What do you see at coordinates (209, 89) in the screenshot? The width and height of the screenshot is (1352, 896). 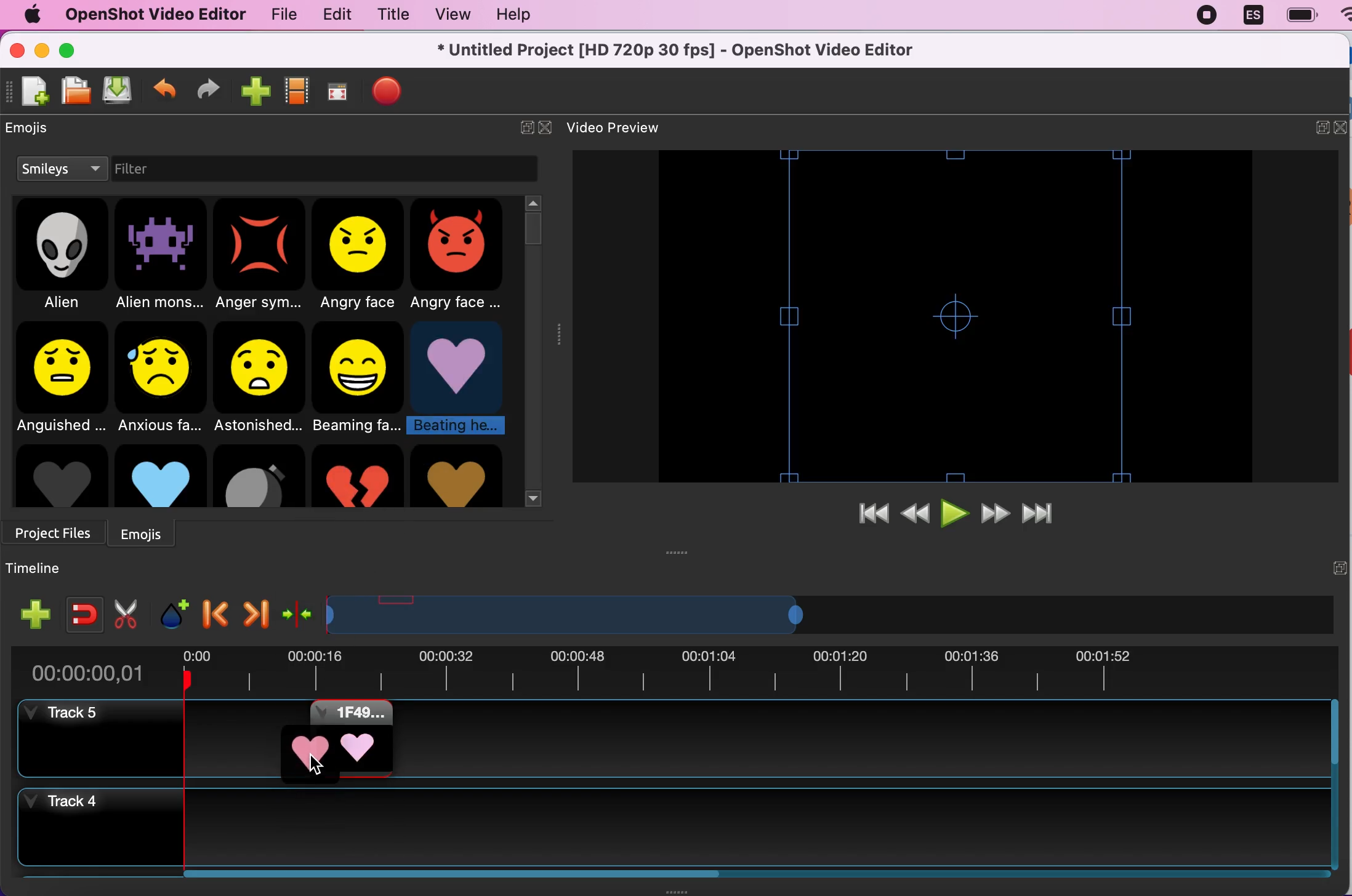 I see `redo` at bounding box center [209, 89].